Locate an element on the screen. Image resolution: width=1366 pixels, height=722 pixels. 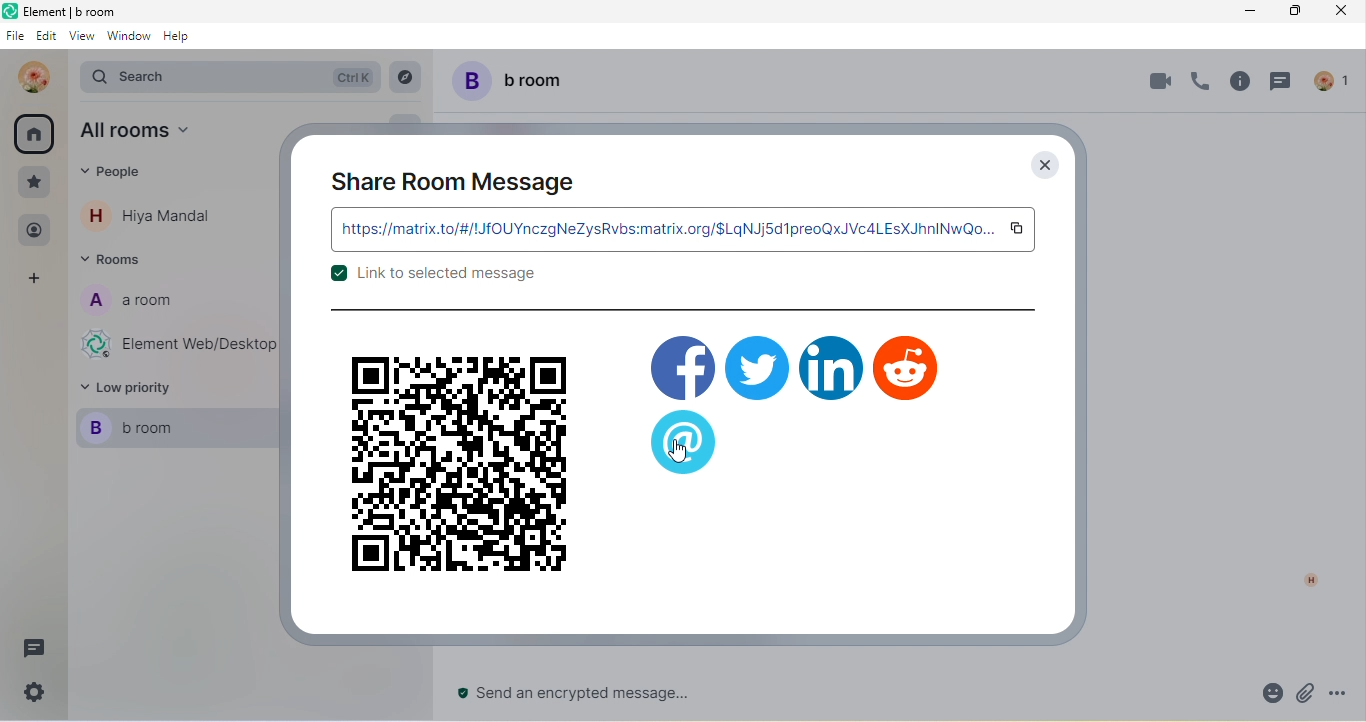
voice call is located at coordinates (1197, 85).